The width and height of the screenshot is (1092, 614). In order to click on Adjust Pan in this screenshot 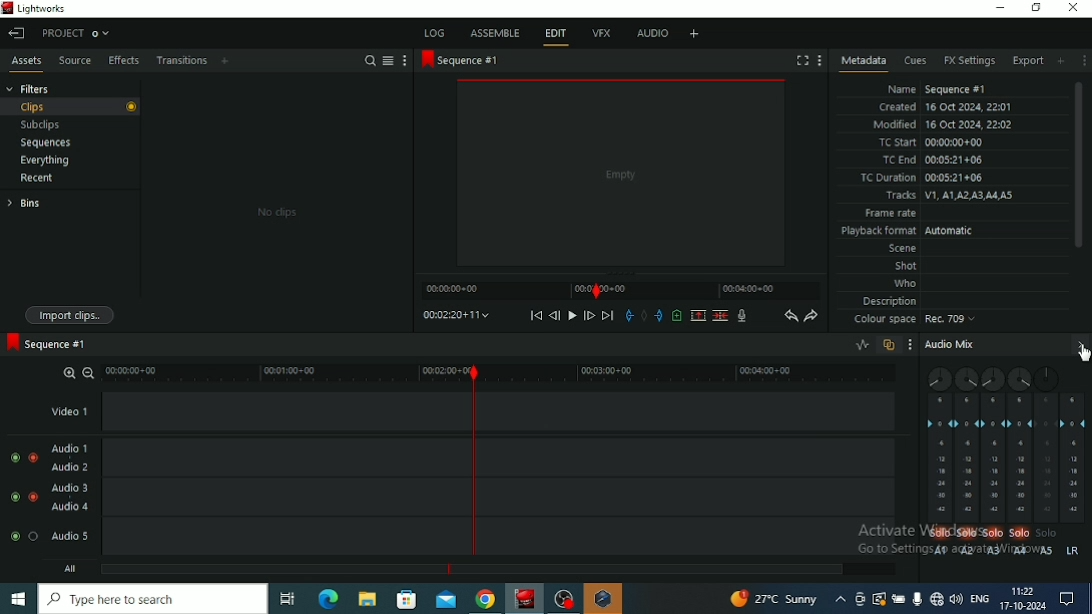, I will do `click(1019, 379)`.